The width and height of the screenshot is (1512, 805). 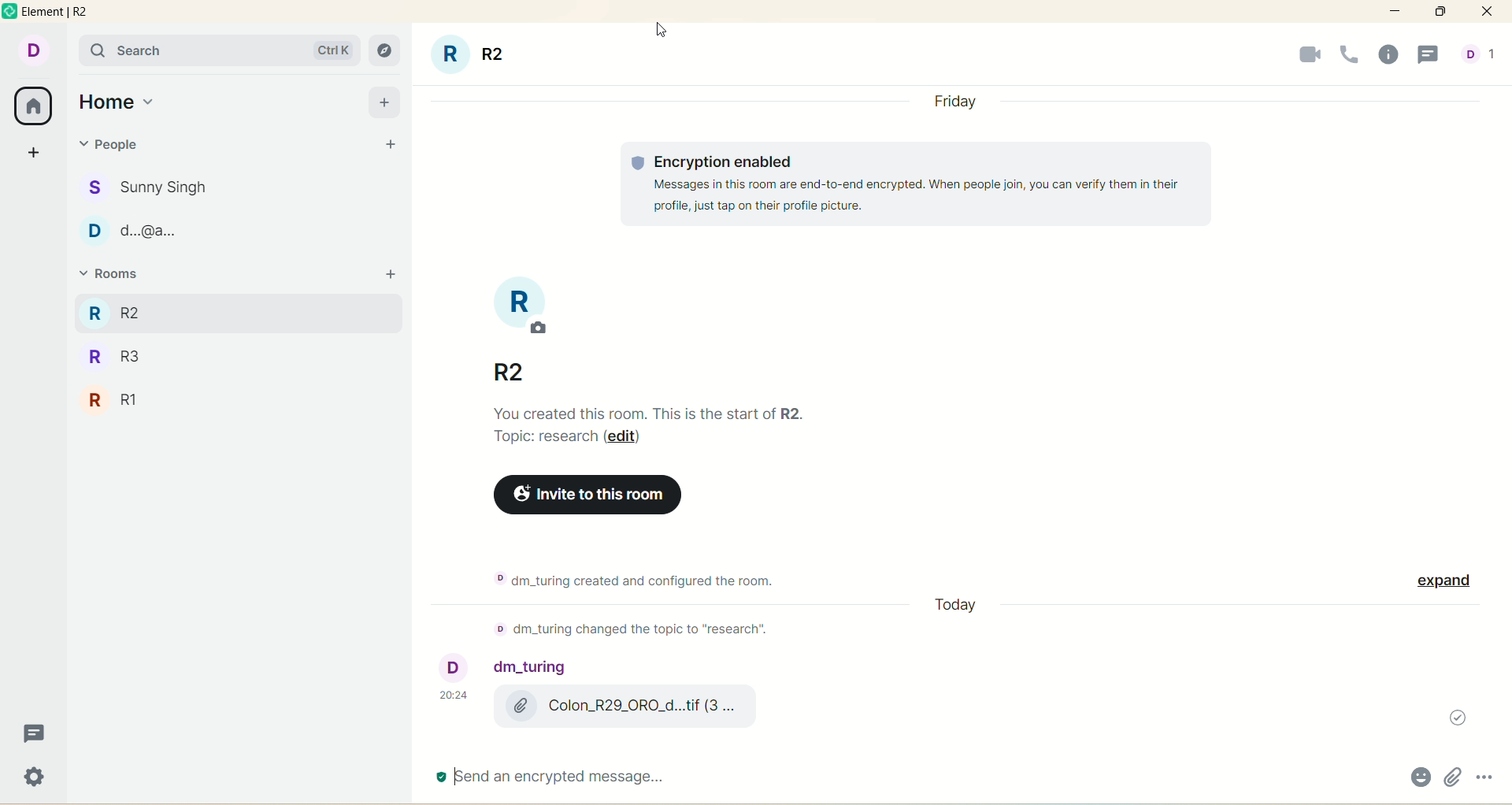 What do you see at coordinates (117, 102) in the screenshot?
I see `home` at bounding box center [117, 102].